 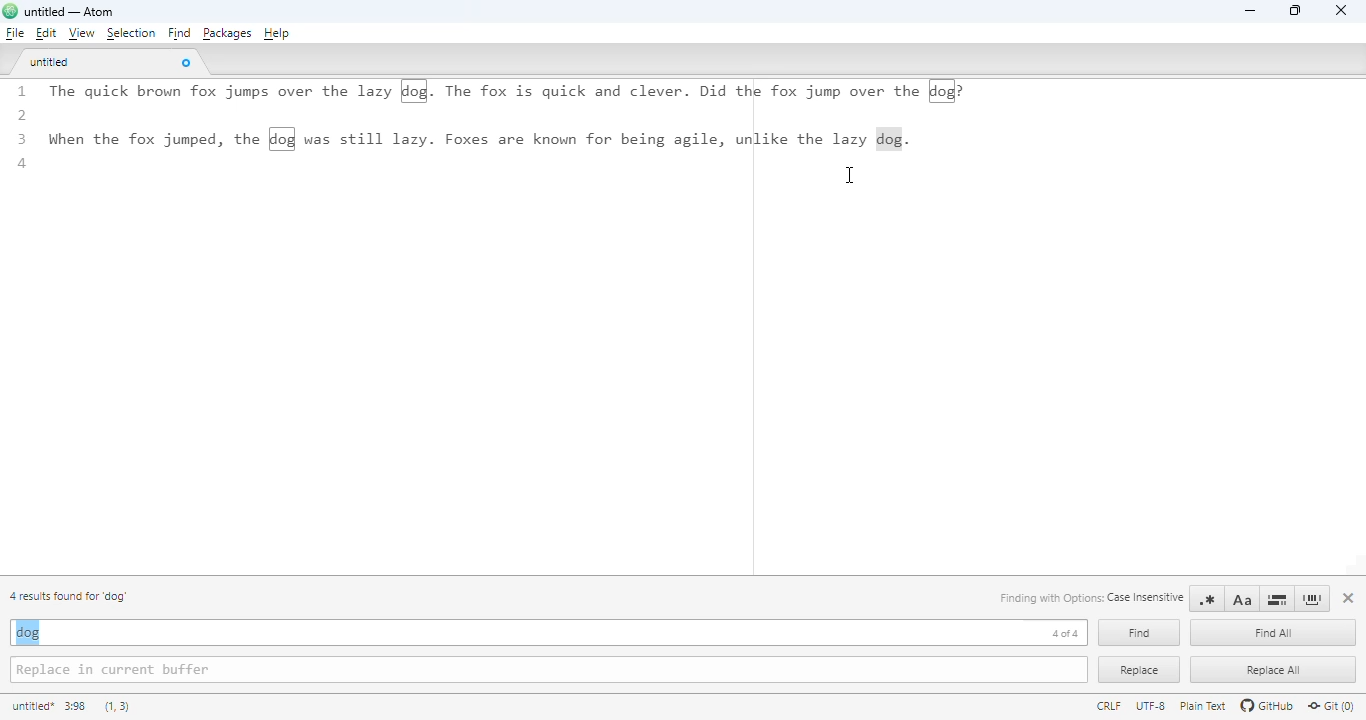 What do you see at coordinates (1110, 707) in the screenshot?
I see `CRLF` at bounding box center [1110, 707].